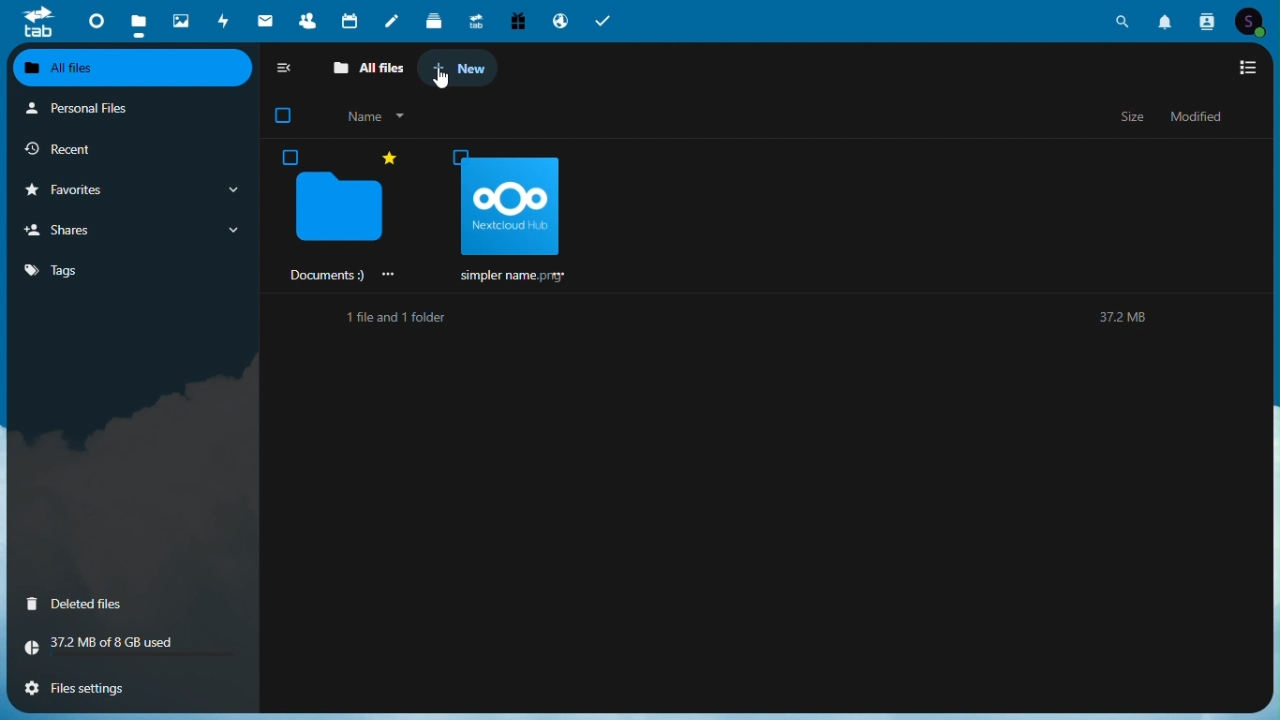  Describe the element at coordinates (32, 21) in the screenshot. I see `tab` at that location.